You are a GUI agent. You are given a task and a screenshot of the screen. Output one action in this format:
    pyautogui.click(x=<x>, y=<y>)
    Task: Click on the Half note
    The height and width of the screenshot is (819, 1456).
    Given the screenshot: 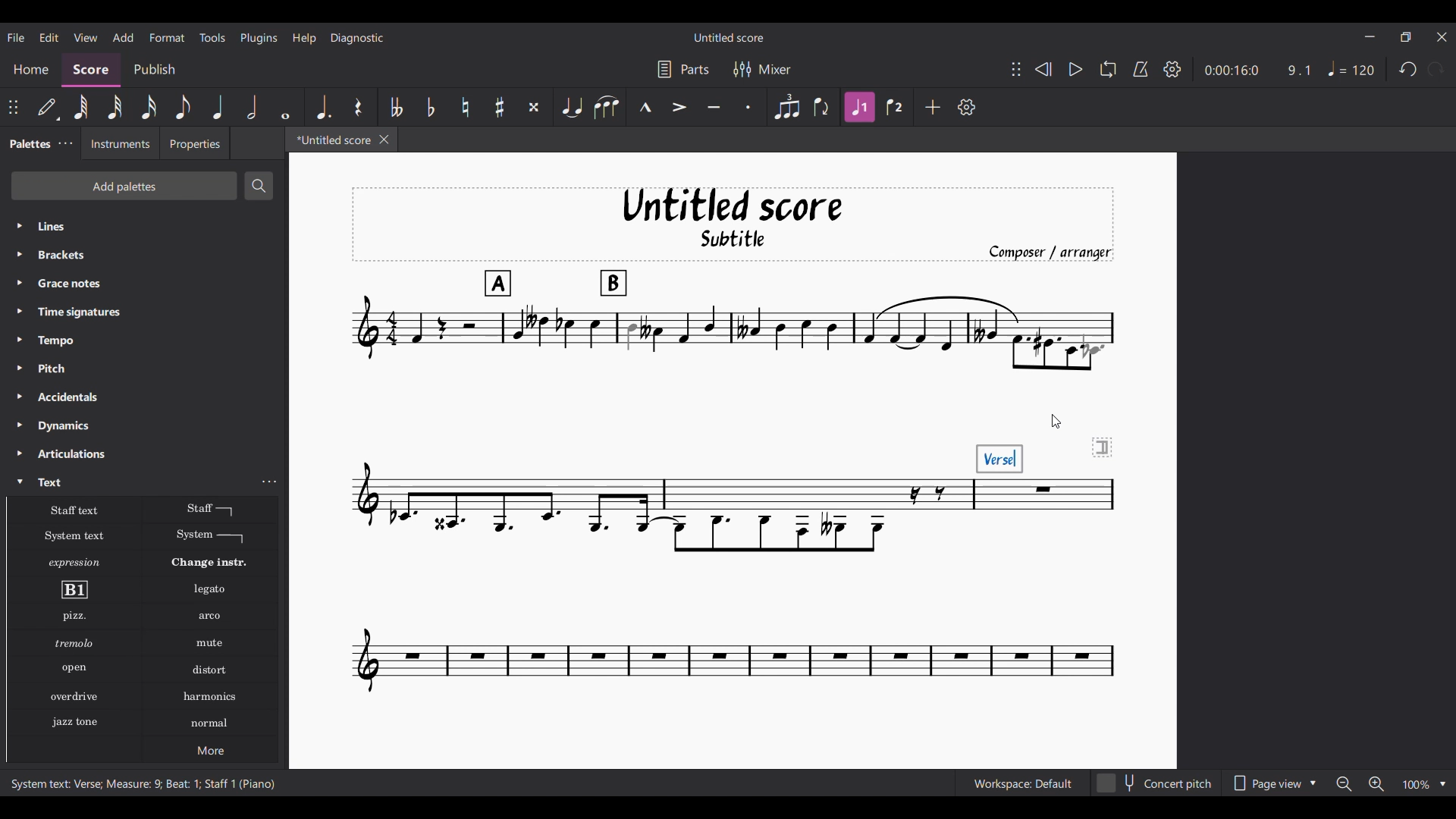 What is the action you would take?
    pyautogui.click(x=252, y=106)
    